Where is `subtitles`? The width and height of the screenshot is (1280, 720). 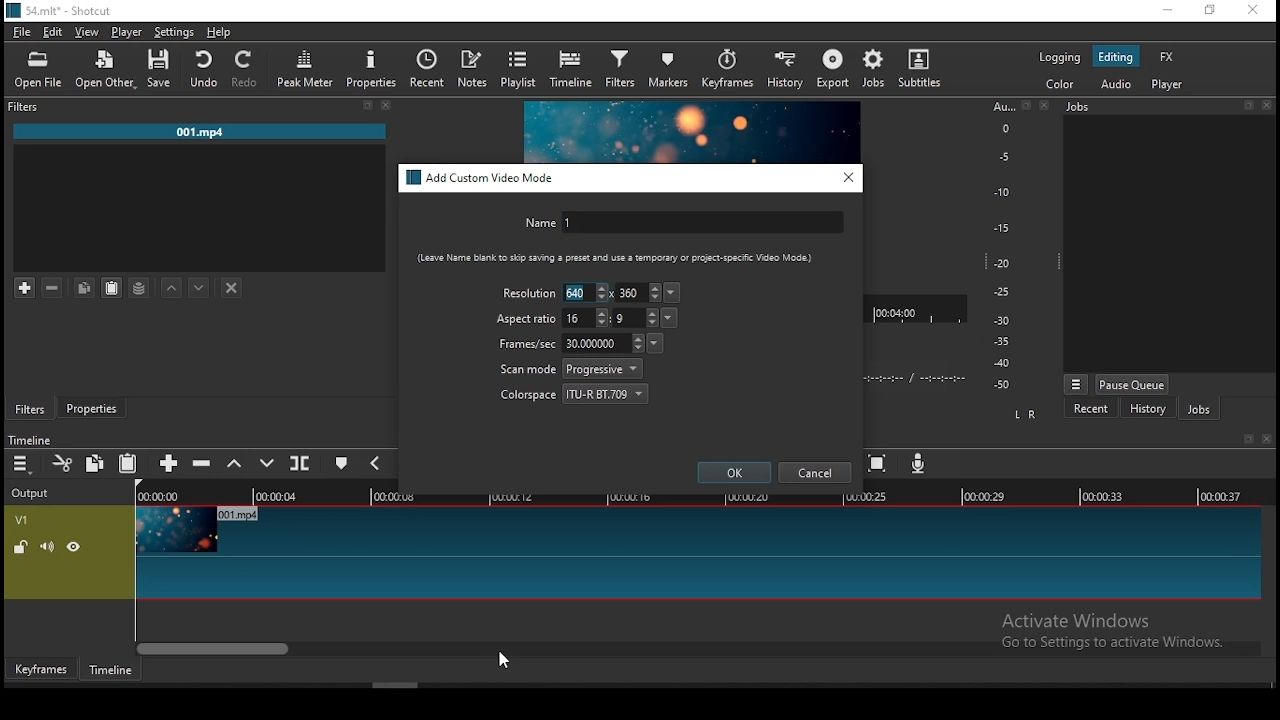 subtitles is located at coordinates (924, 70).